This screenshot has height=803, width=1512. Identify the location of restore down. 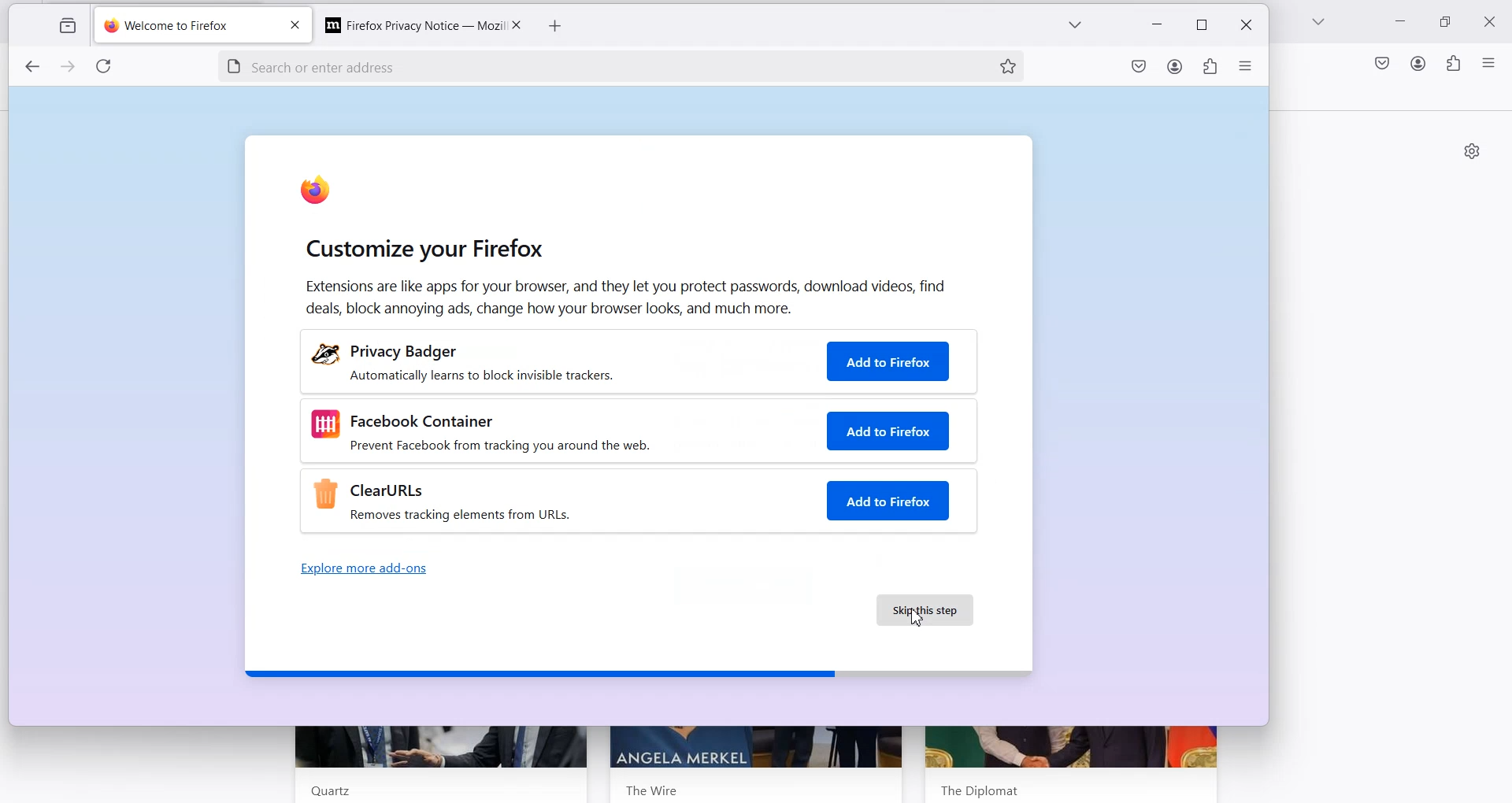
(1201, 25).